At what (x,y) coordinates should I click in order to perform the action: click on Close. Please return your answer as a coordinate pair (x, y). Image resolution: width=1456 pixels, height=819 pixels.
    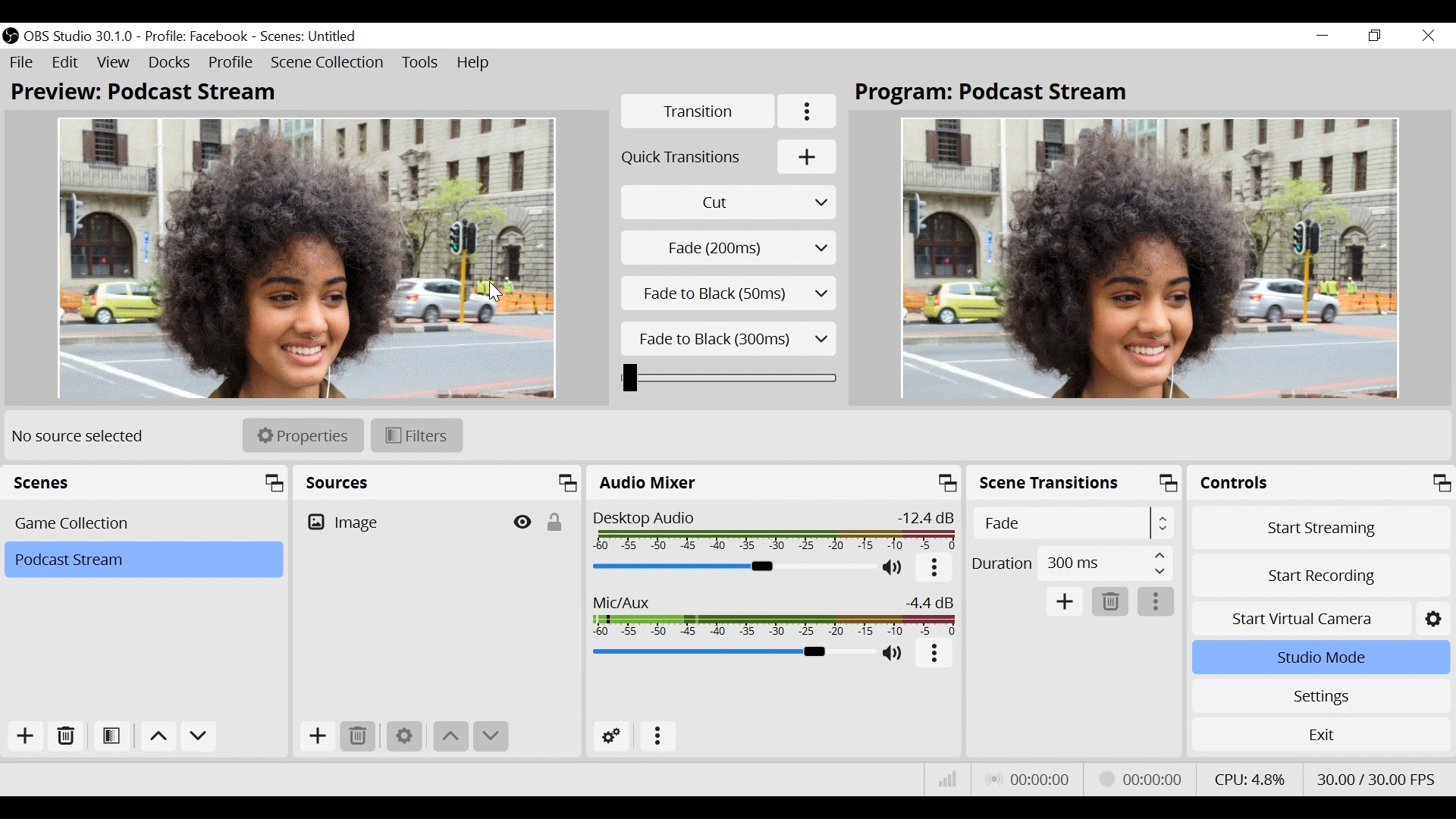
    Looking at the image, I should click on (1426, 36).